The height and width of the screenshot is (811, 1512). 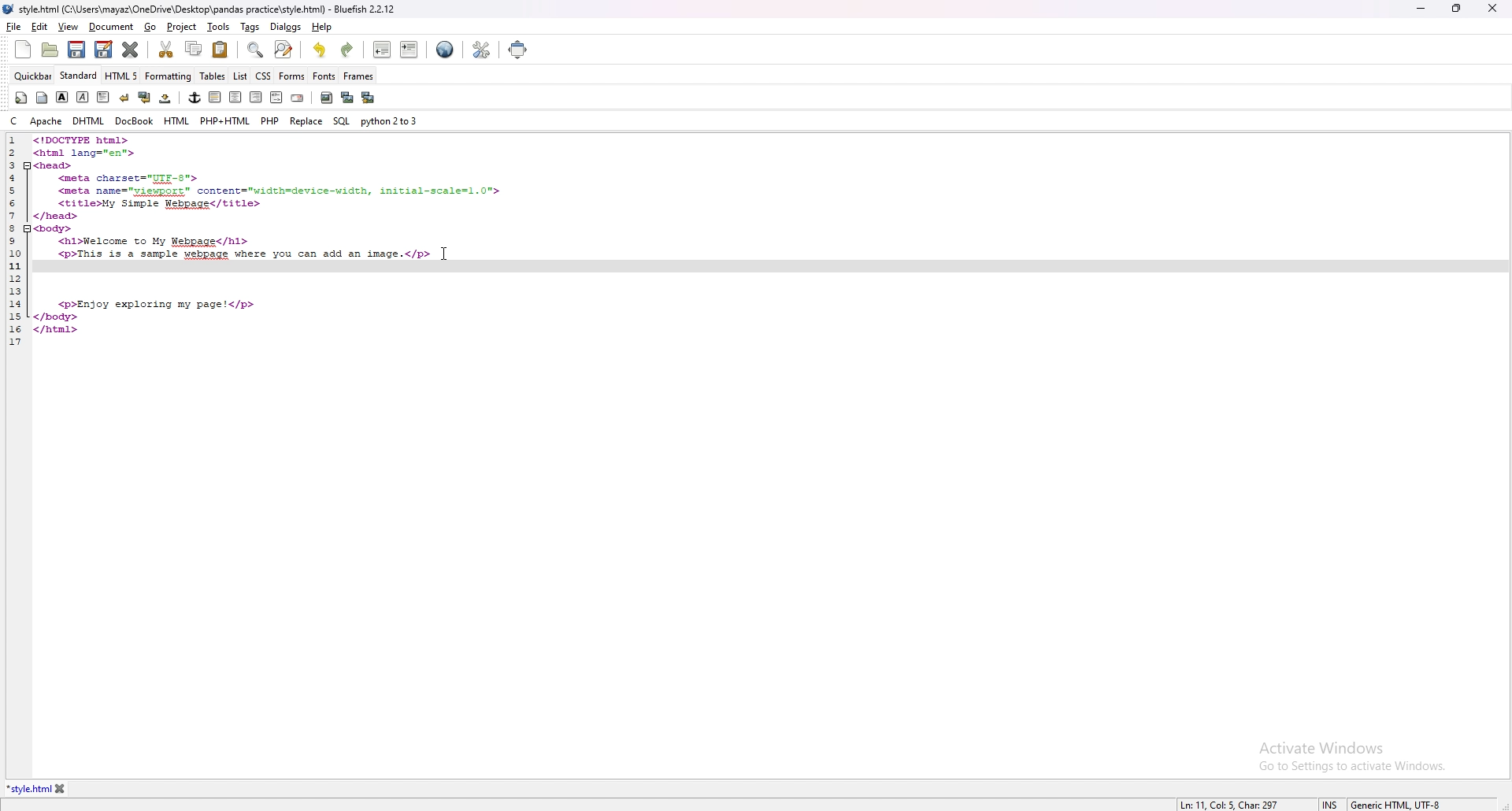 I want to click on <meta name="yiewport"™ content="width=device-width, initial-scale=1.0">, so click(x=279, y=191).